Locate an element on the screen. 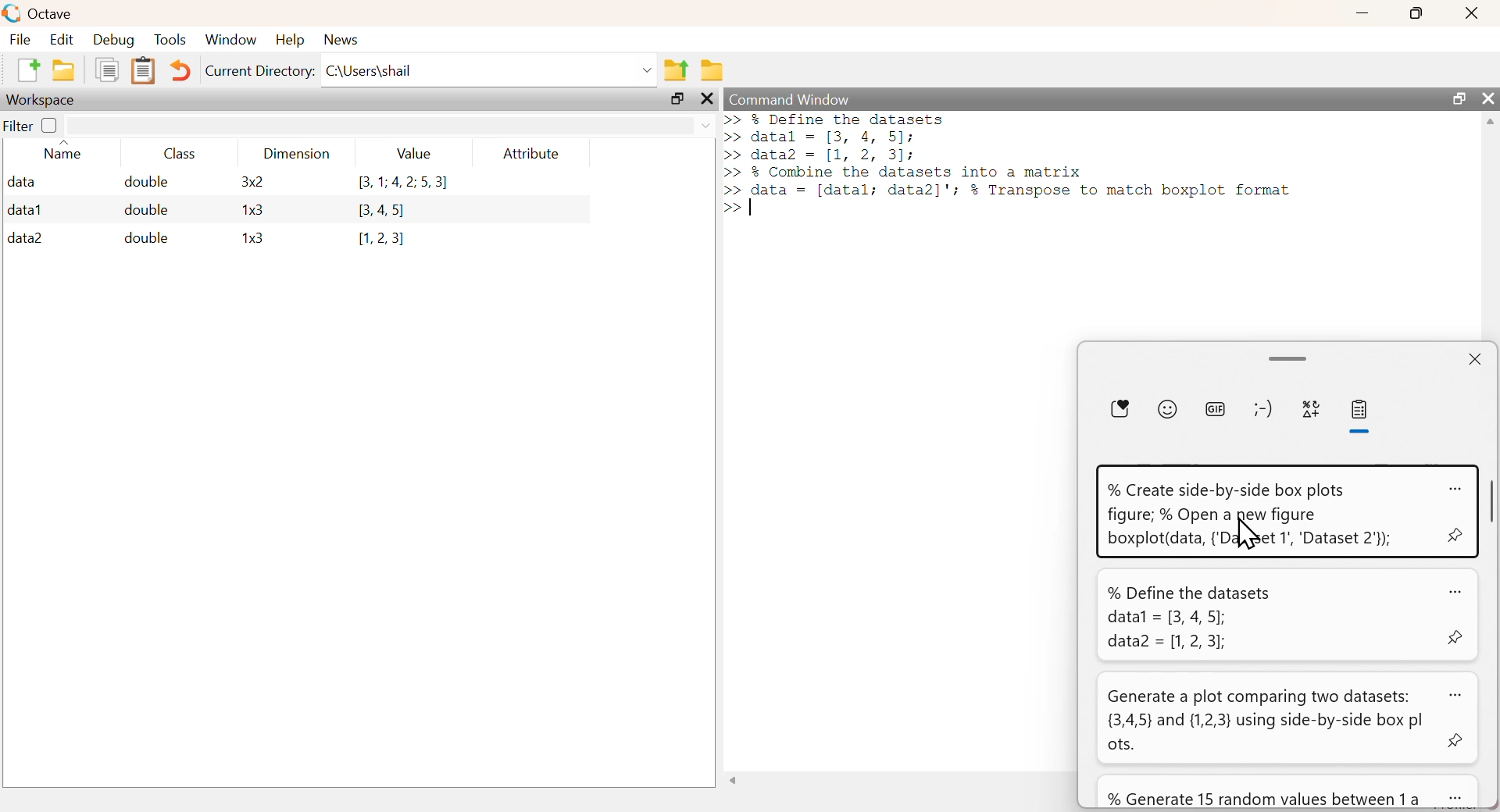 The image size is (1500, 812). data is located at coordinates (23, 181).